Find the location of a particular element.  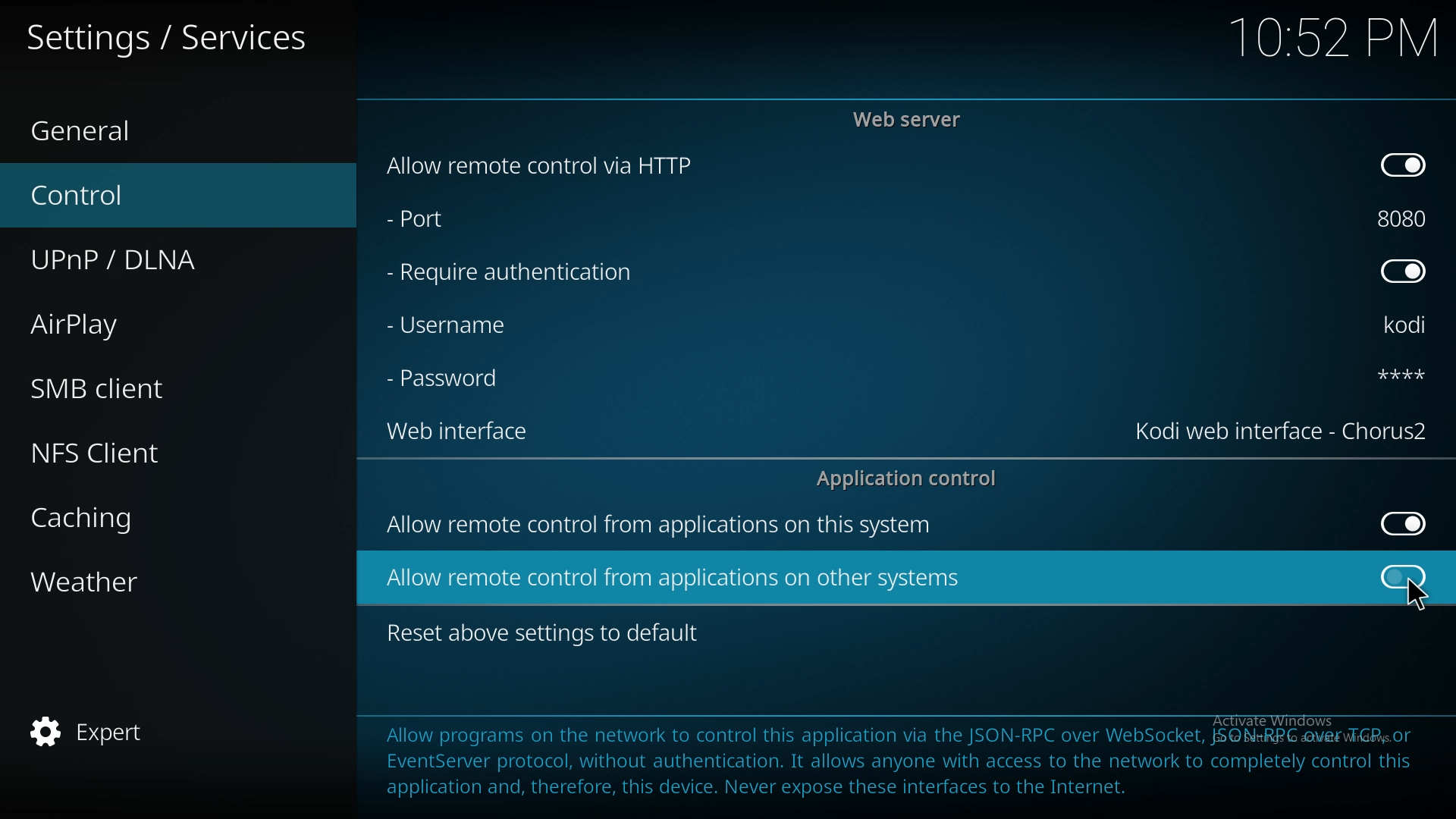

allow remote control from apps on other systems is located at coordinates (676, 578).